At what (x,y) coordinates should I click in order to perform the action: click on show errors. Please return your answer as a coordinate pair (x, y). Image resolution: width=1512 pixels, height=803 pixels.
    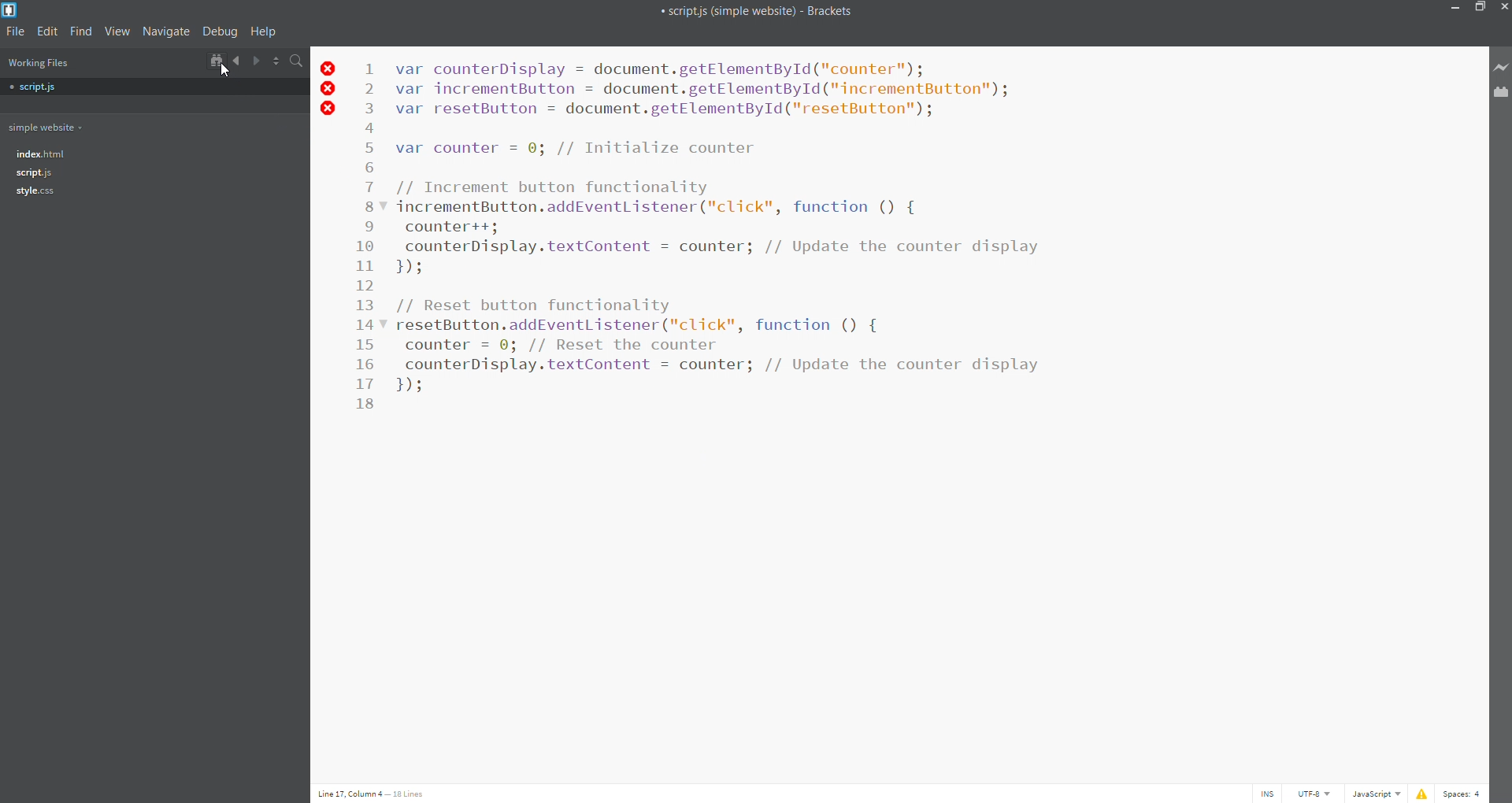
    Looking at the image, I should click on (1422, 794).